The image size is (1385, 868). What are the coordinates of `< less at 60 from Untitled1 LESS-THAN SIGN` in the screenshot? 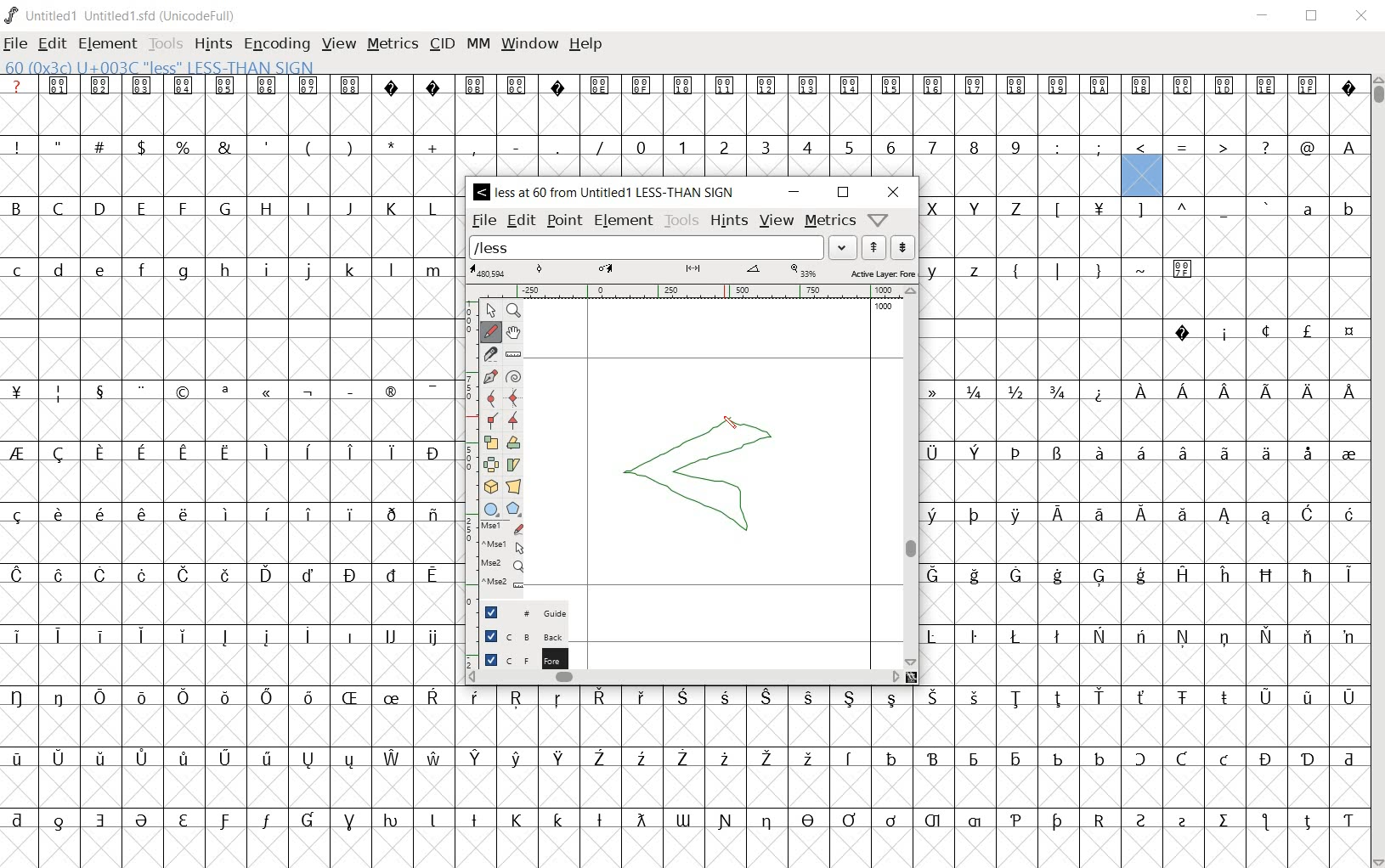 It's located at (608, 193).